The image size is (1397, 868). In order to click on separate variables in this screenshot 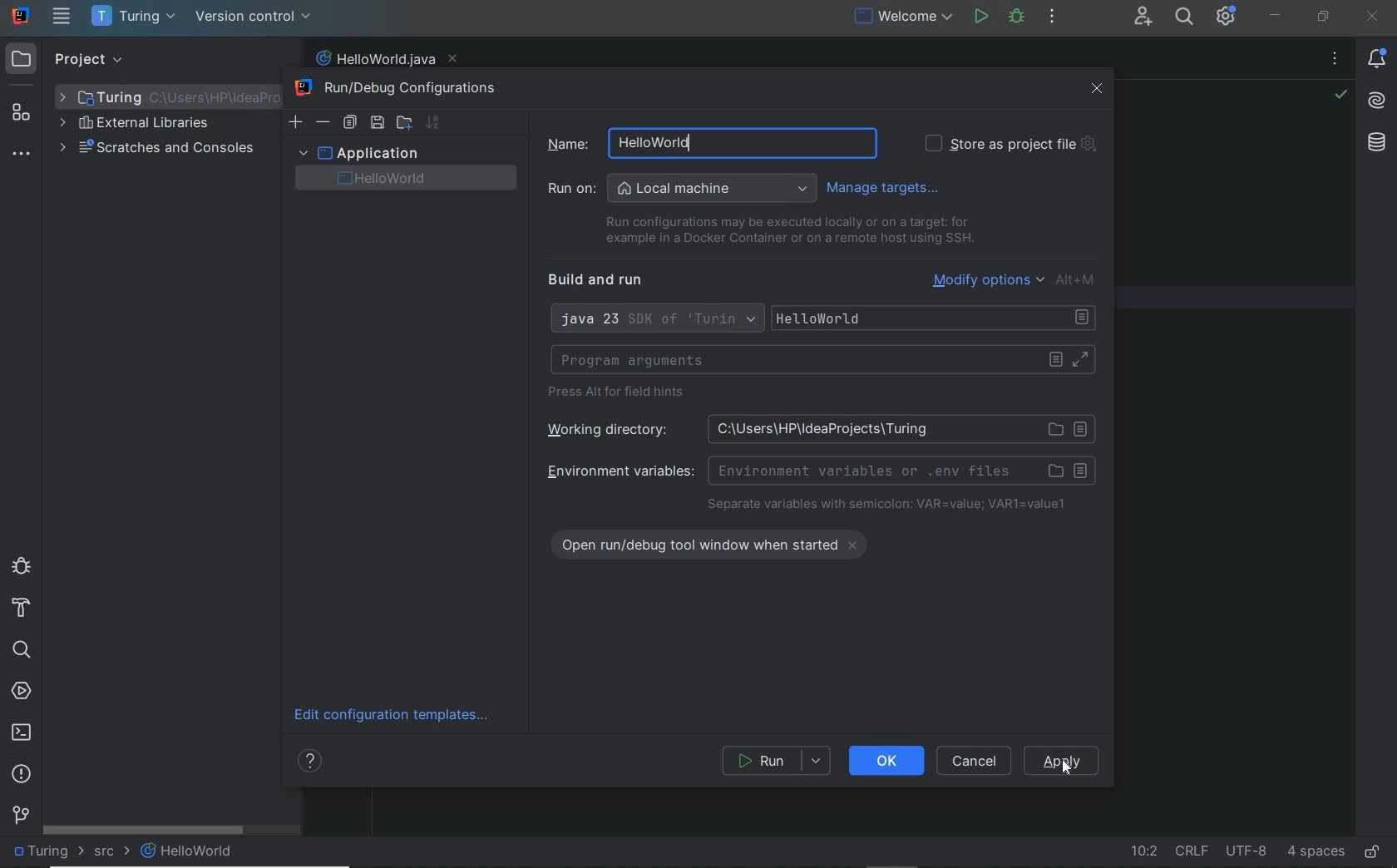, I will do `click(887, 506)`.